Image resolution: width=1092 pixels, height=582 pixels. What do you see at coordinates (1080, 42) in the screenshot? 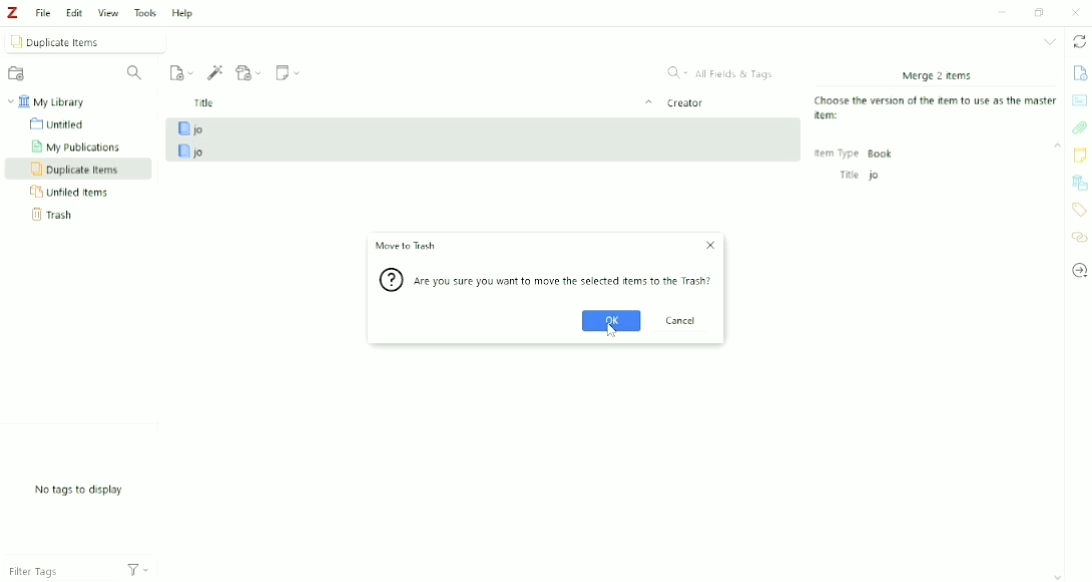
I see `Sync` at bounding box center [1080, 42].